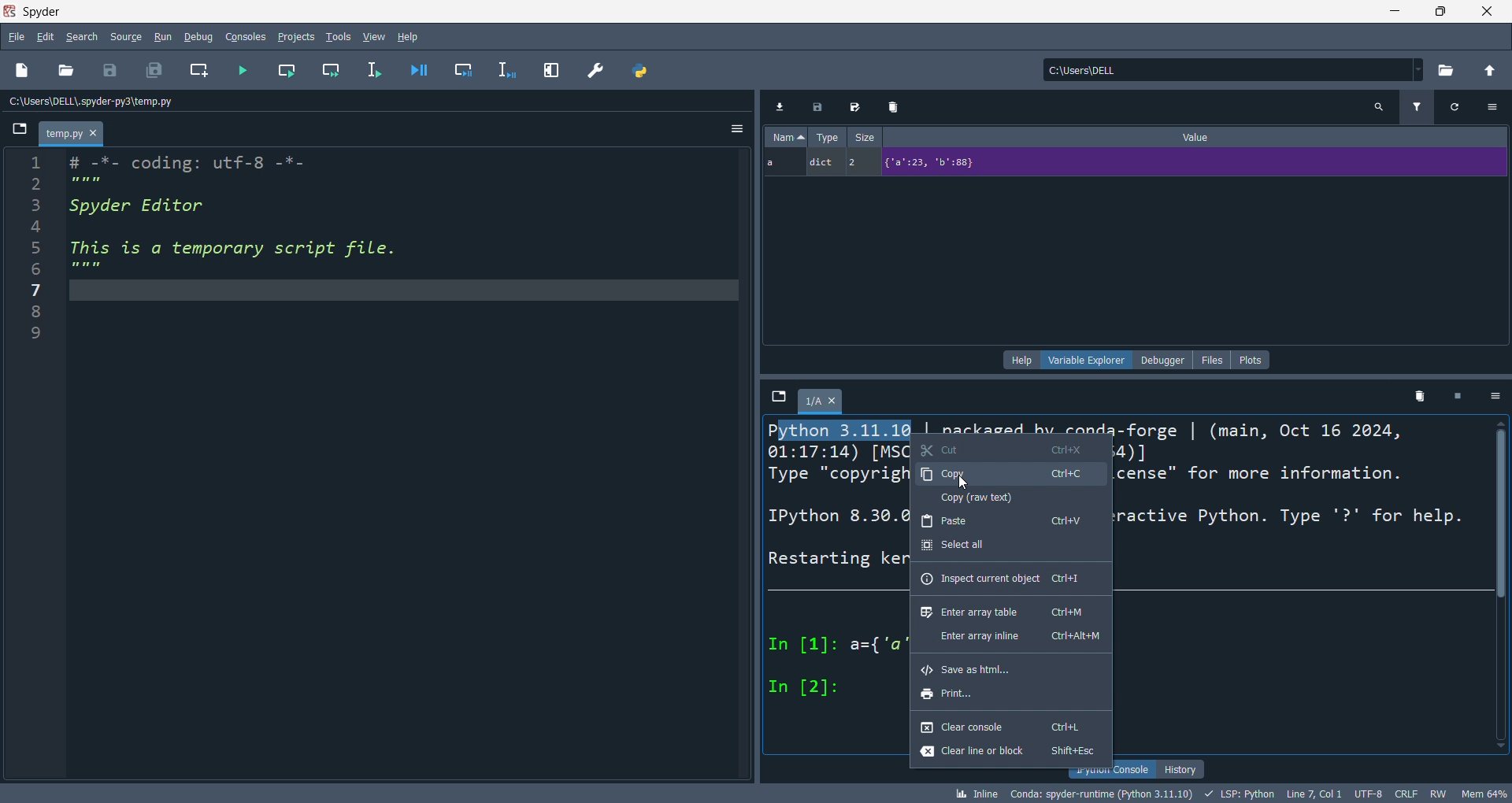 Image resolution: width=1512 pixels, height=803 pixels. I want to click on projects, so click(299, 37).